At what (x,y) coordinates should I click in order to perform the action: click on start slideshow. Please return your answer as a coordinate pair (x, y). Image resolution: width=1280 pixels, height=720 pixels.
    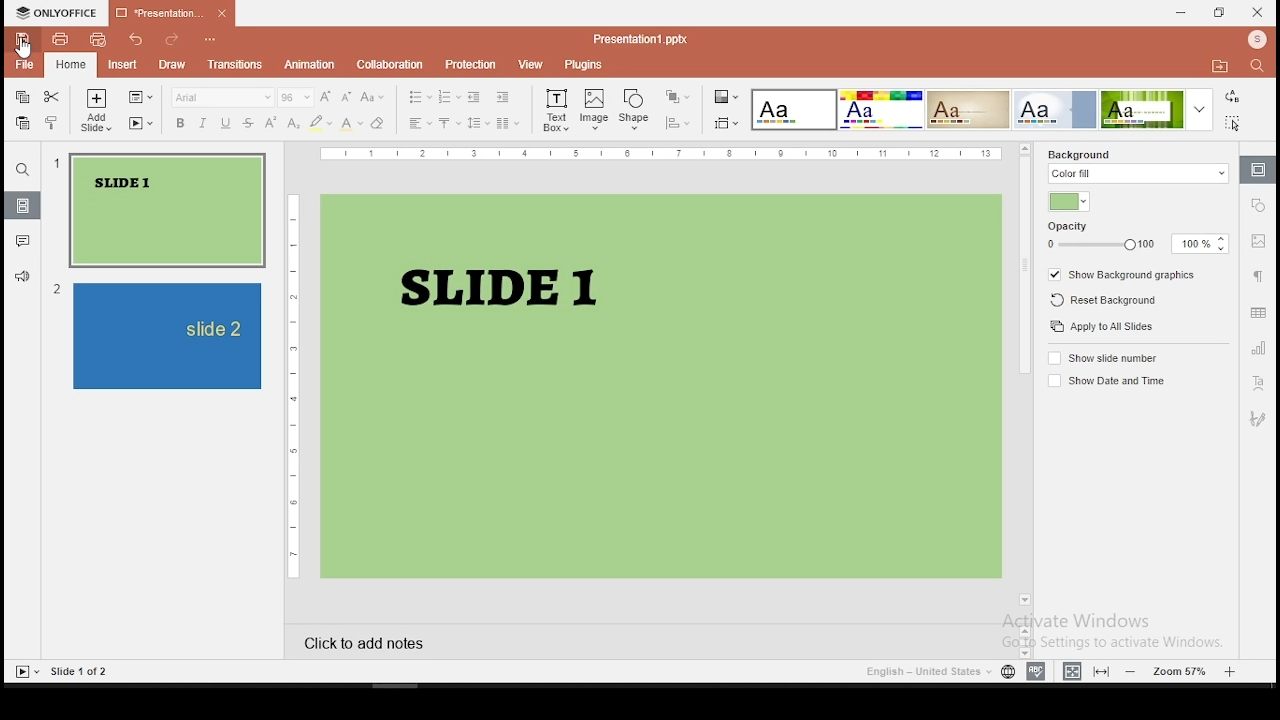
    Looking at the image, I should click on (141, 122).